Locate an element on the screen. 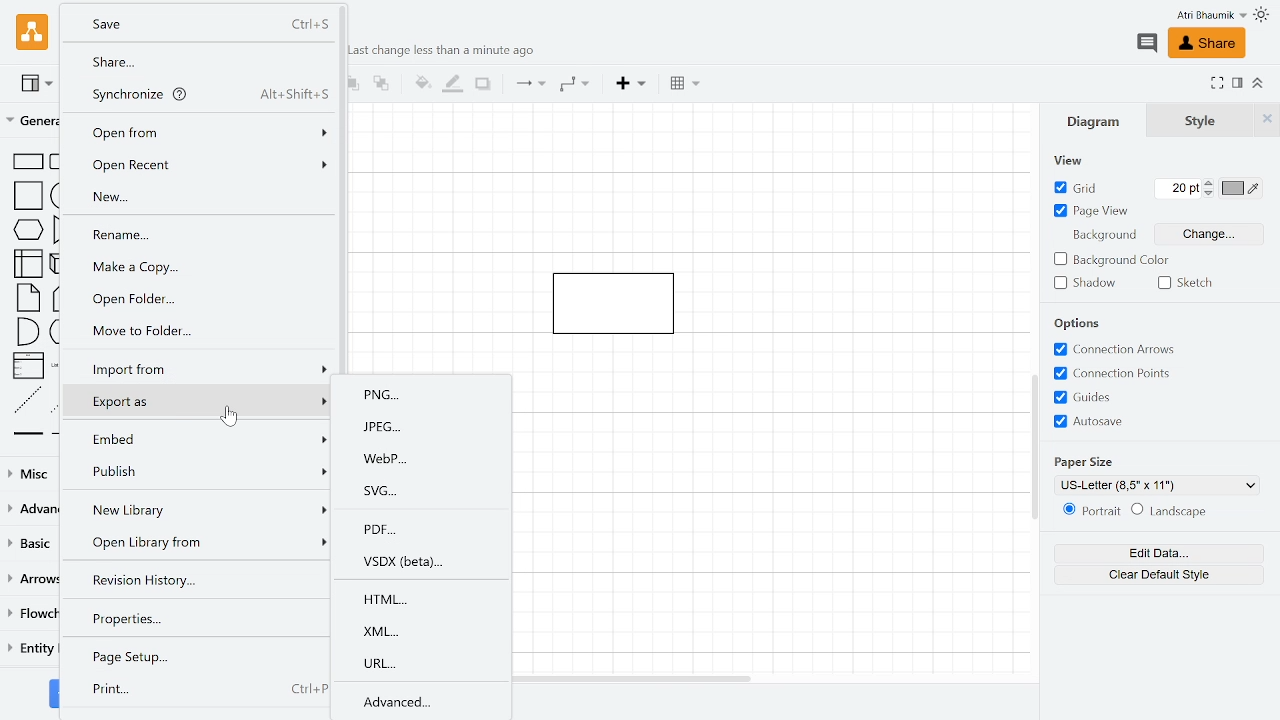 This screenshot has width=1280, height=720. Close is located at coordinates (1267, 120).